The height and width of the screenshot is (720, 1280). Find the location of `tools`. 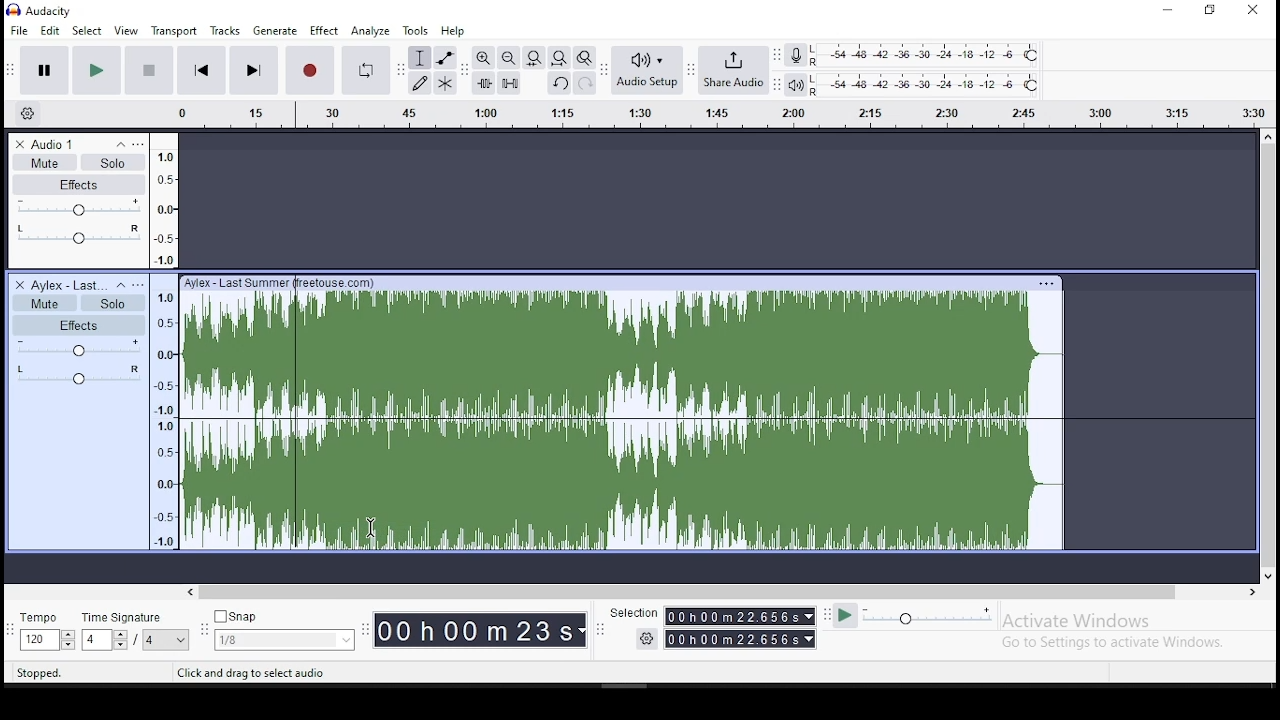

tools is located at coordinates (415, 31).